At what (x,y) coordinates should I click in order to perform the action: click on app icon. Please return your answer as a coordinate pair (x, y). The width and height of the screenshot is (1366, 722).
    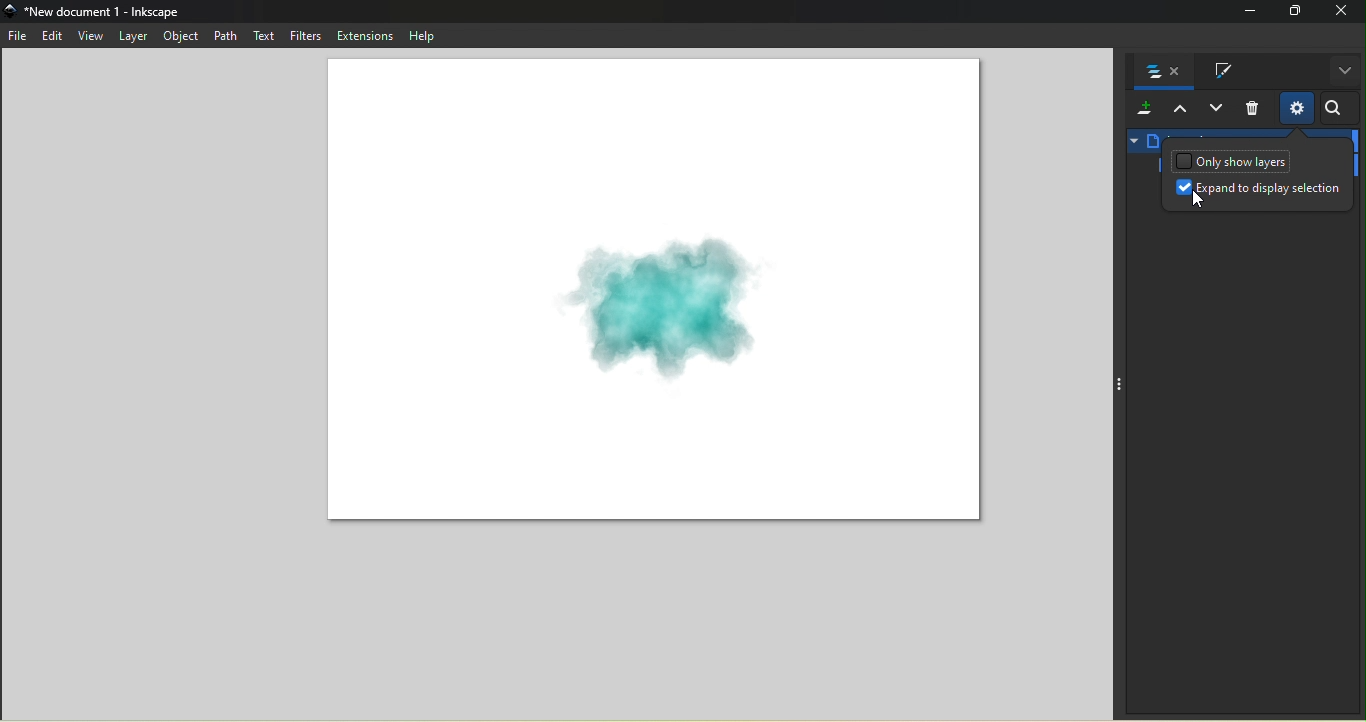
    Looking at the image, I should click on (12, 11).